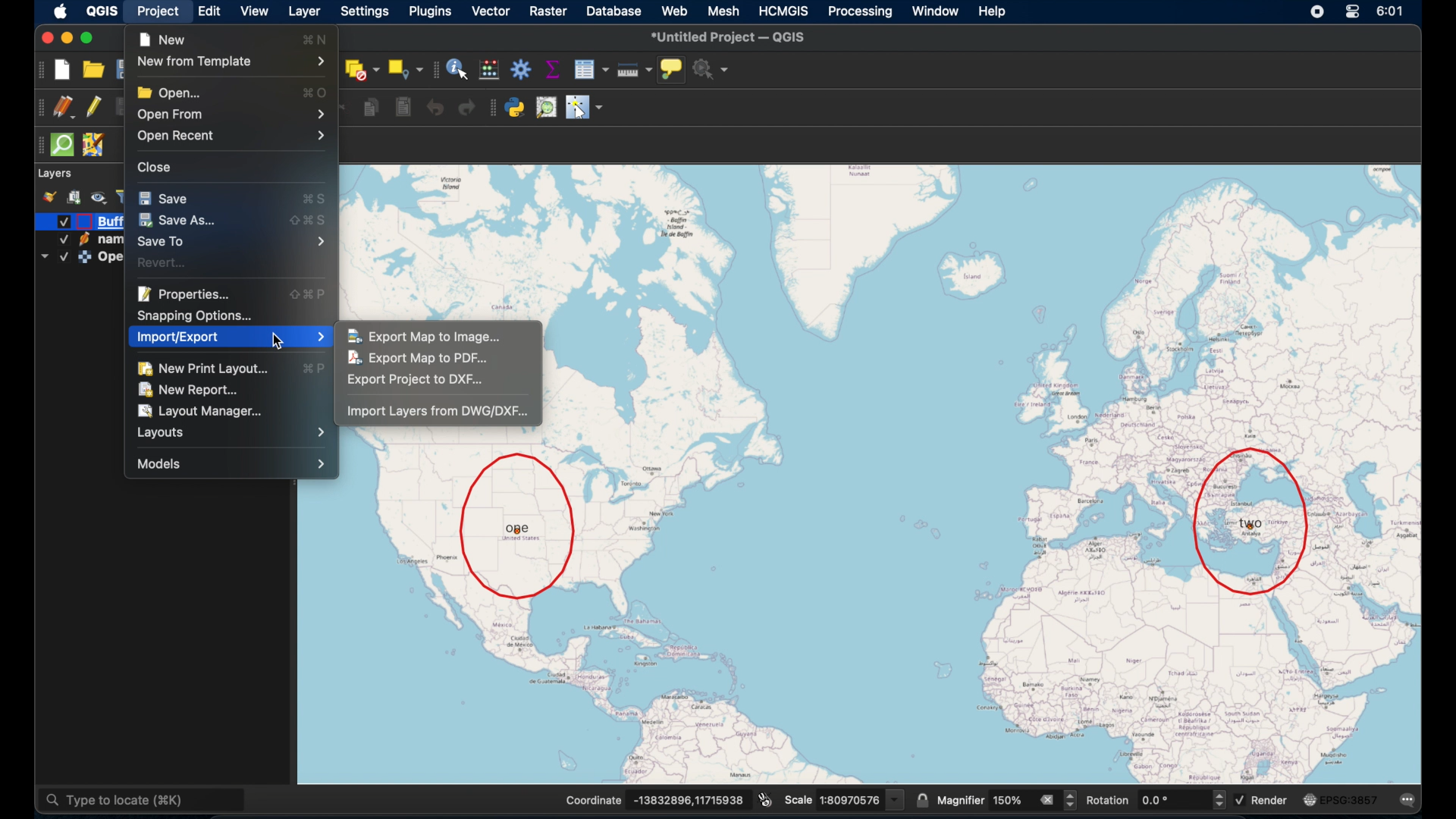 The height and width of the screenshot is (819, 1456). I want to click on save as, so click(177, 222).